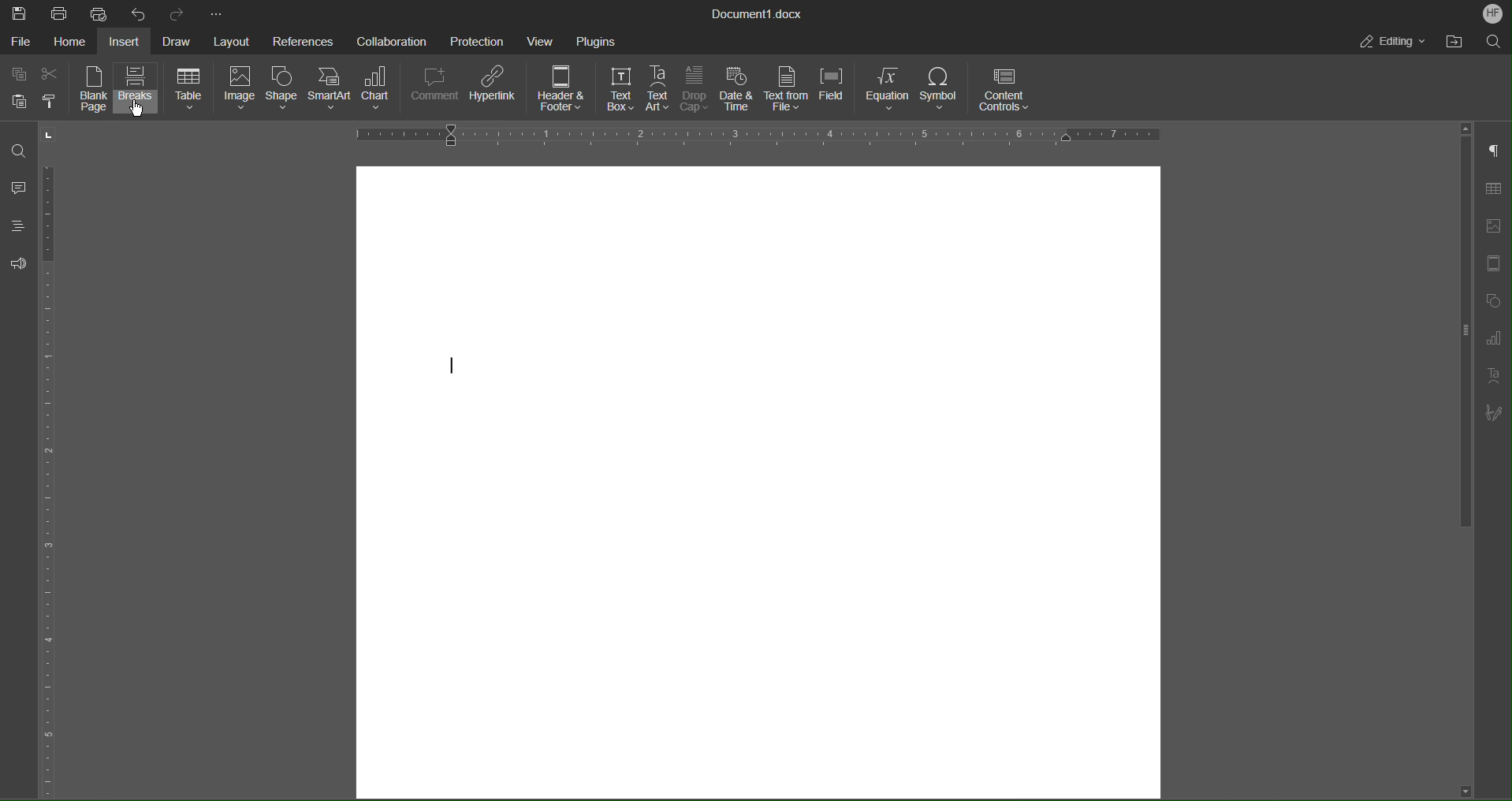  Describe the element at coordinates (832, 90) in the screenshot. I see `Field` at that location.